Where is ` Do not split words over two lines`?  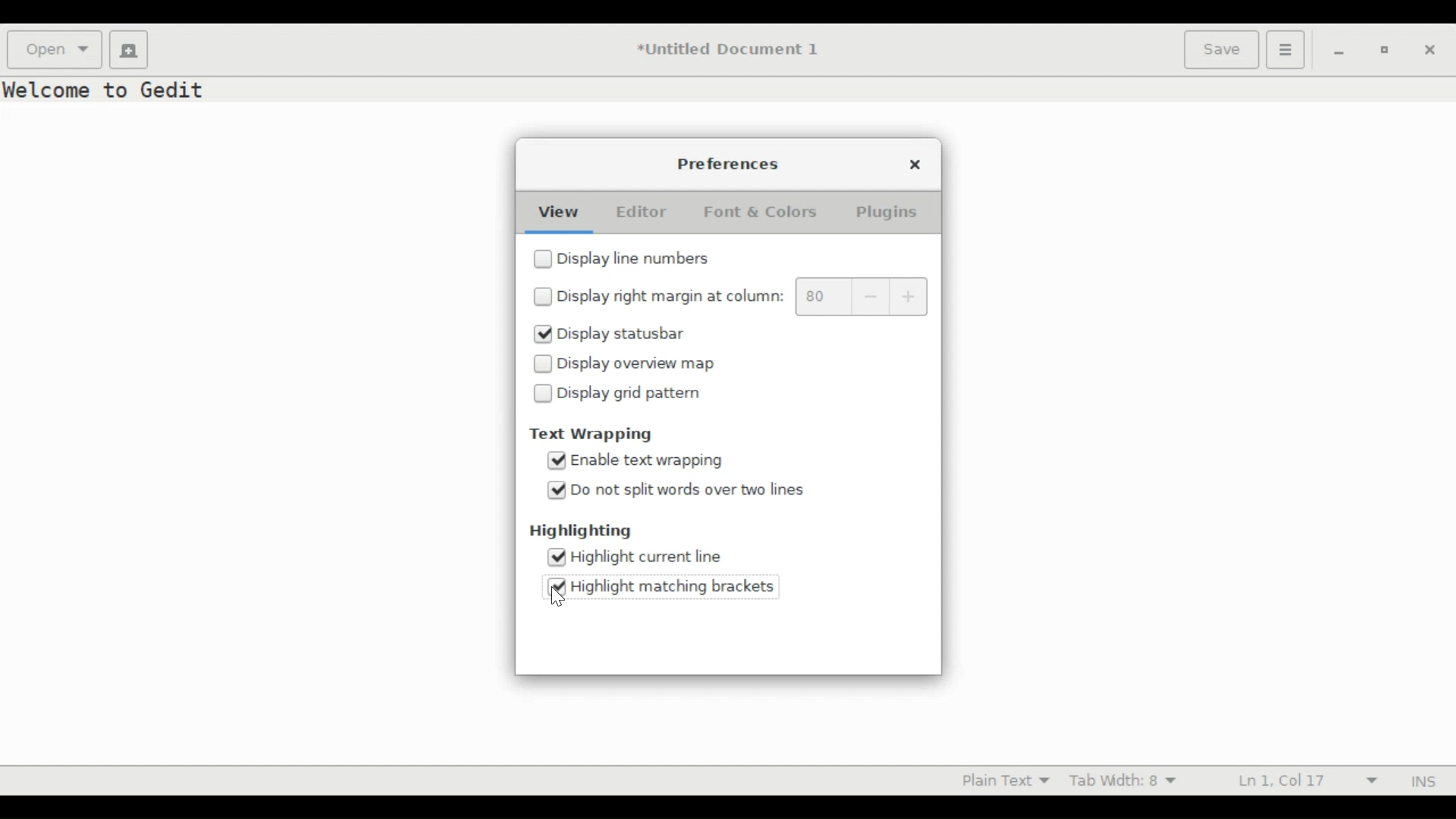
 Do not split words over two lines is located at coordinates (708, 491).